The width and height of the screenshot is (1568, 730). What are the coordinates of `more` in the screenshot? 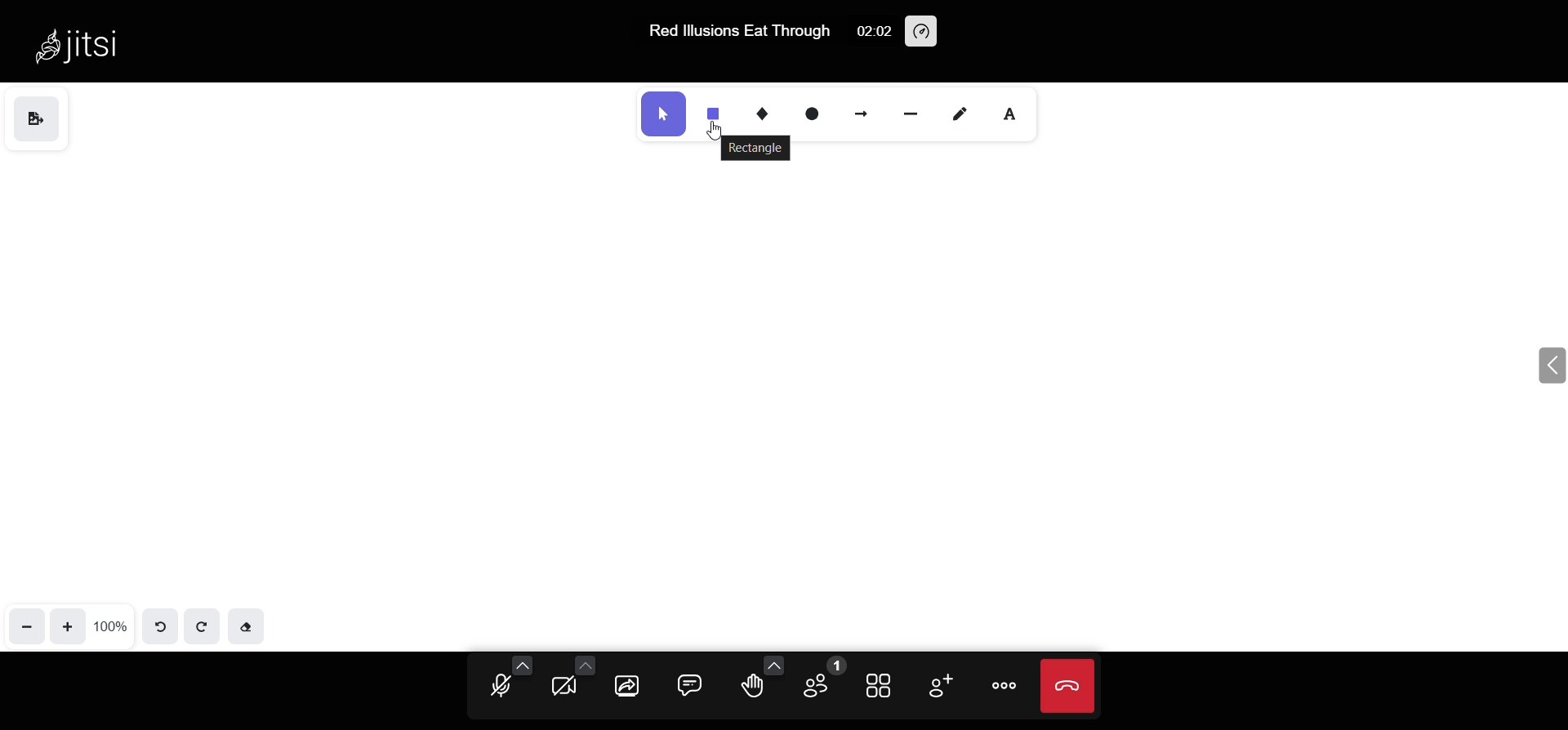 It's located at (1006, 686).